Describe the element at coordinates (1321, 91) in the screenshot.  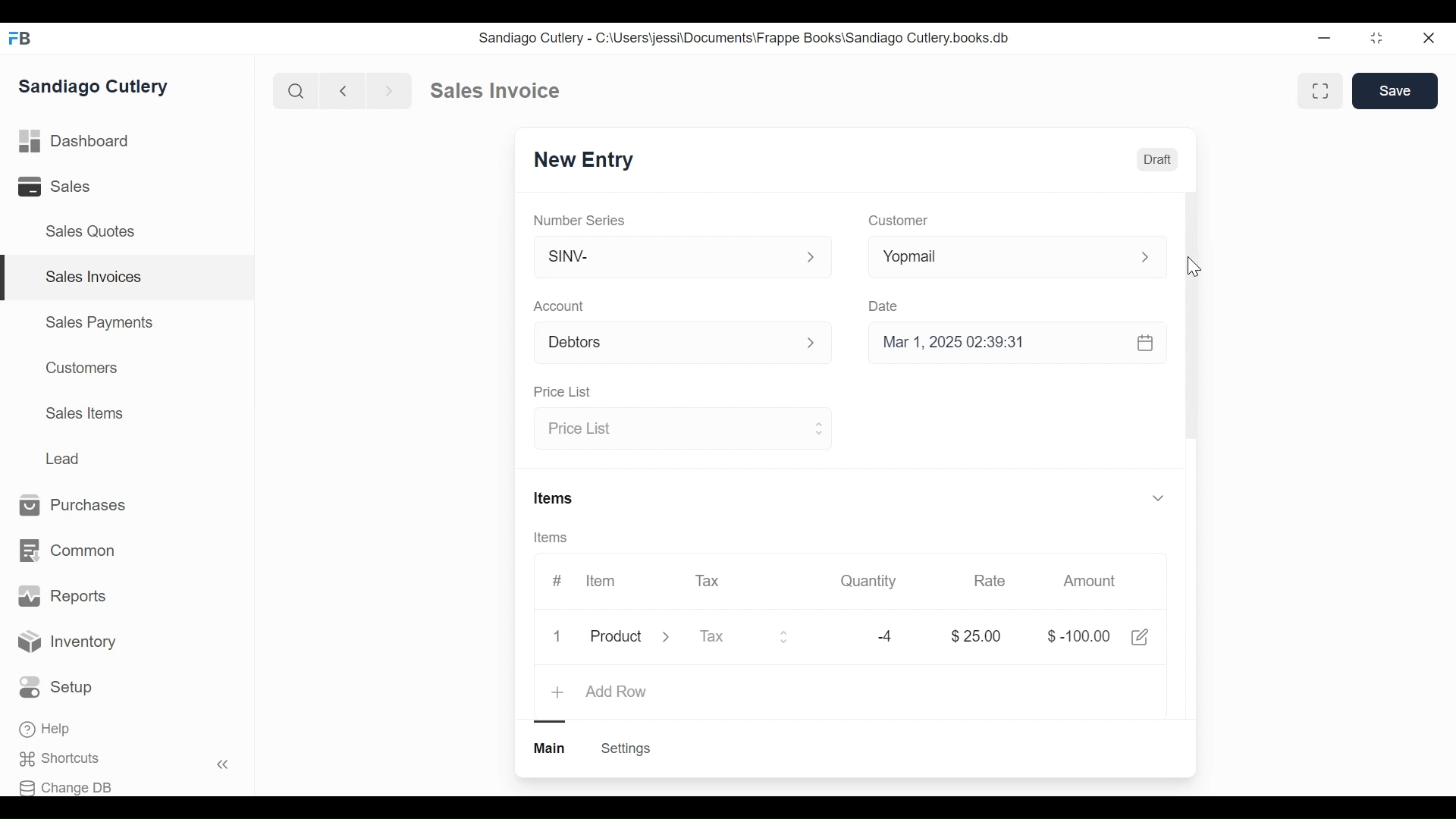
I see `Toggle between form and full width` at that location.